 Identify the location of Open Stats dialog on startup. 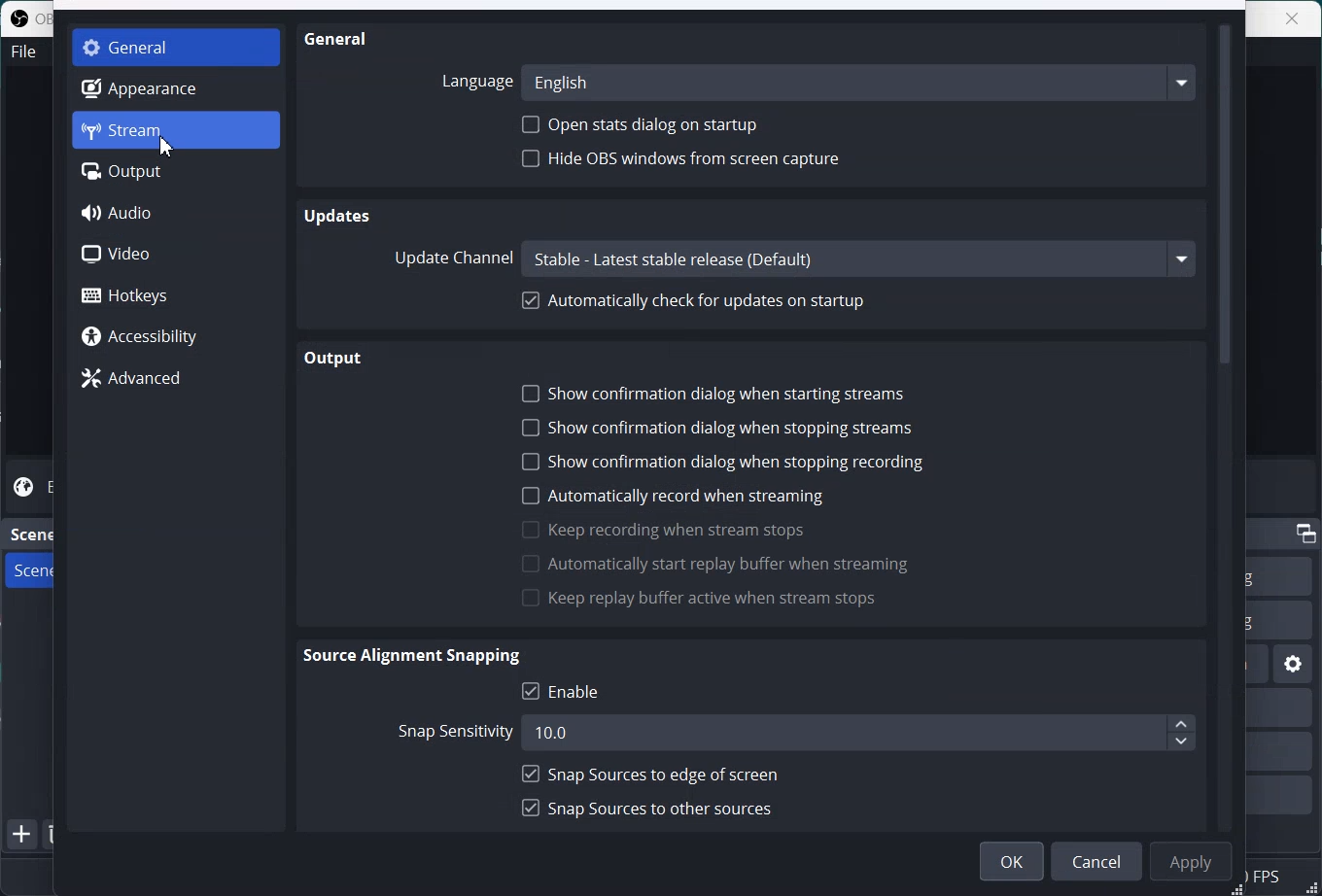
(639, 123).